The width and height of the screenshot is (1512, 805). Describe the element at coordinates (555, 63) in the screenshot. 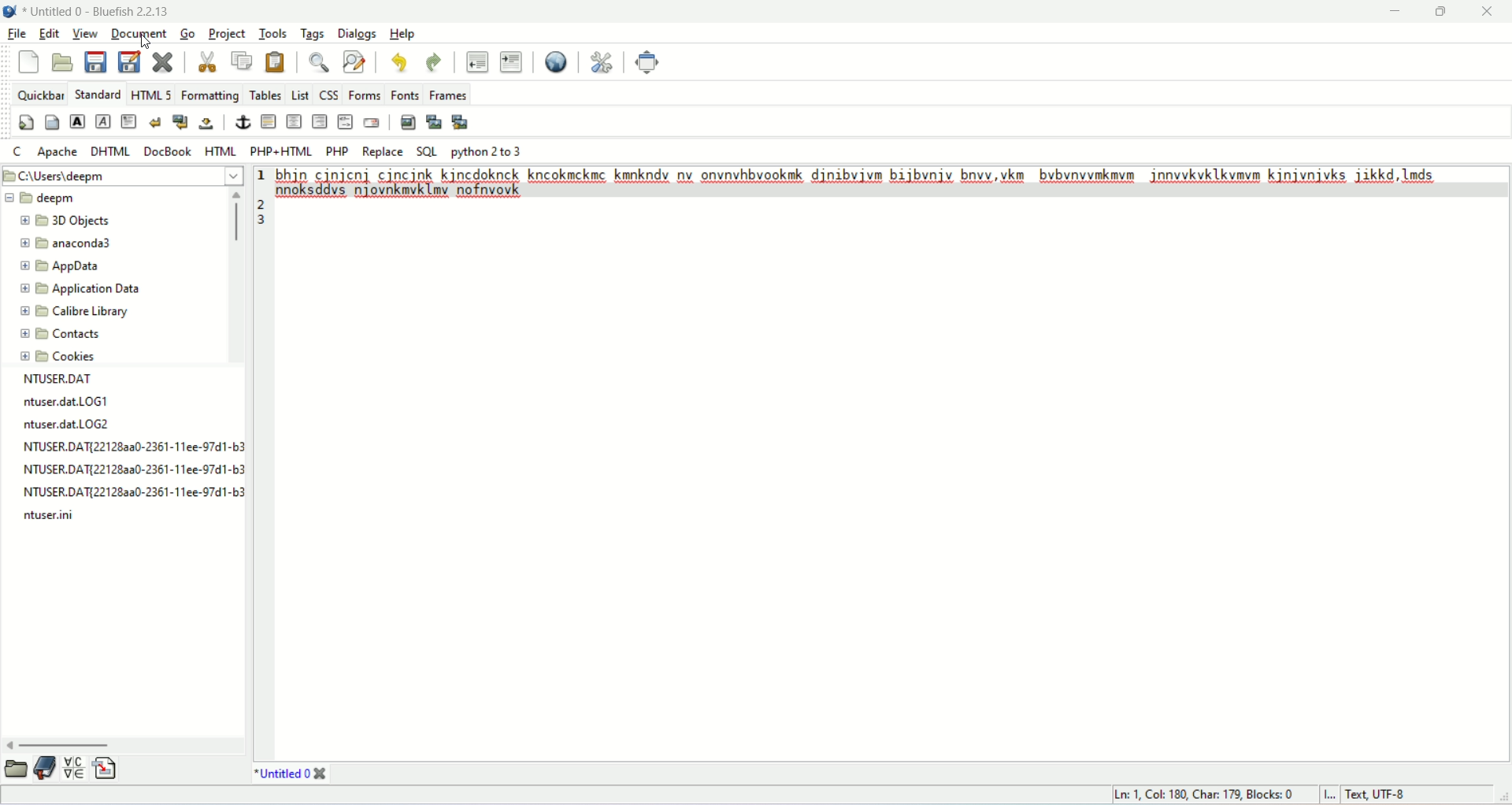

I see `preview in browser` at that location.